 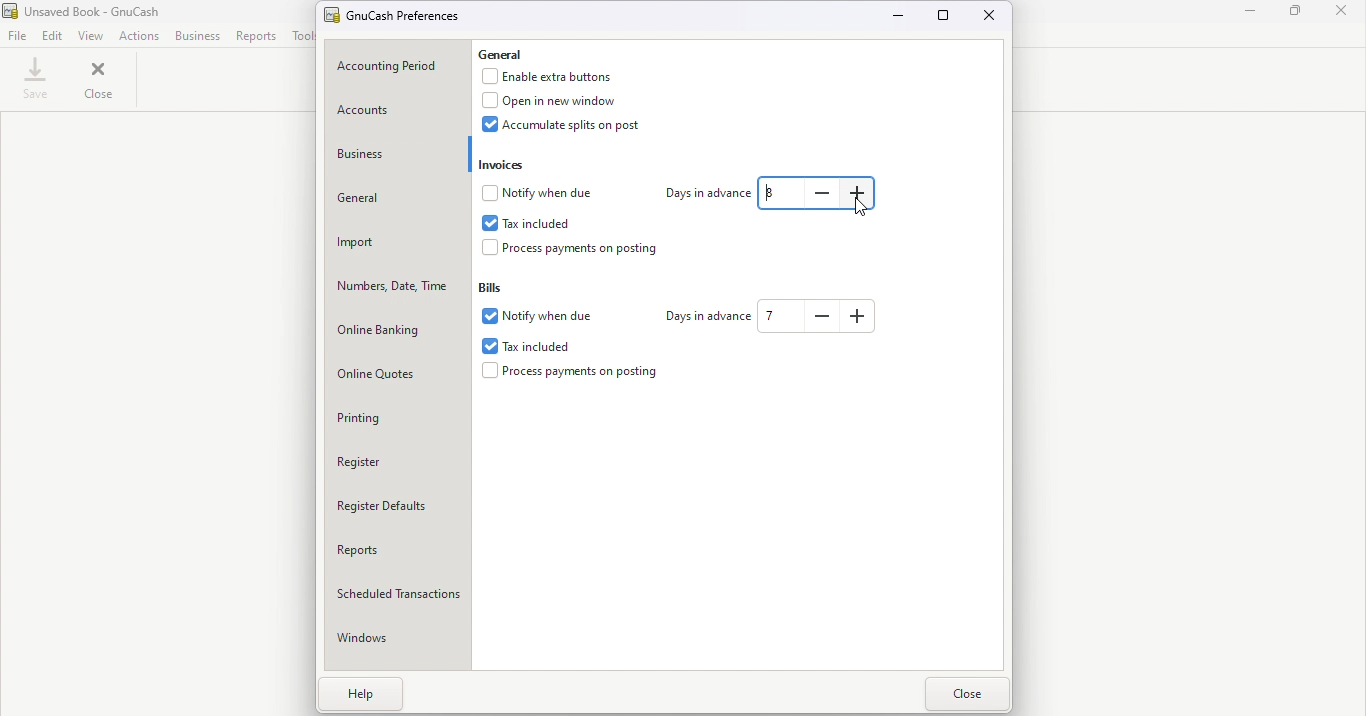 I want to click on how many days in the future to warn about bills coming due, so click(x=821, y=316).